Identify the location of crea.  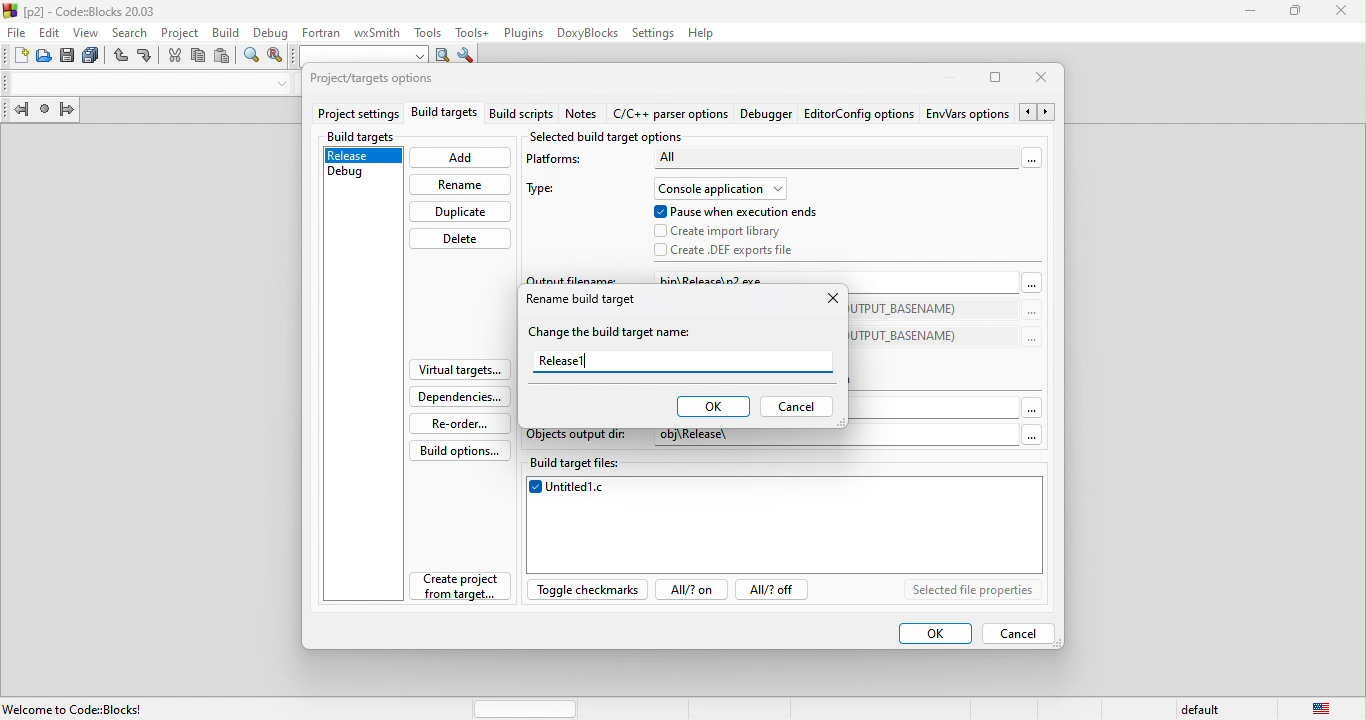
(722, 232).